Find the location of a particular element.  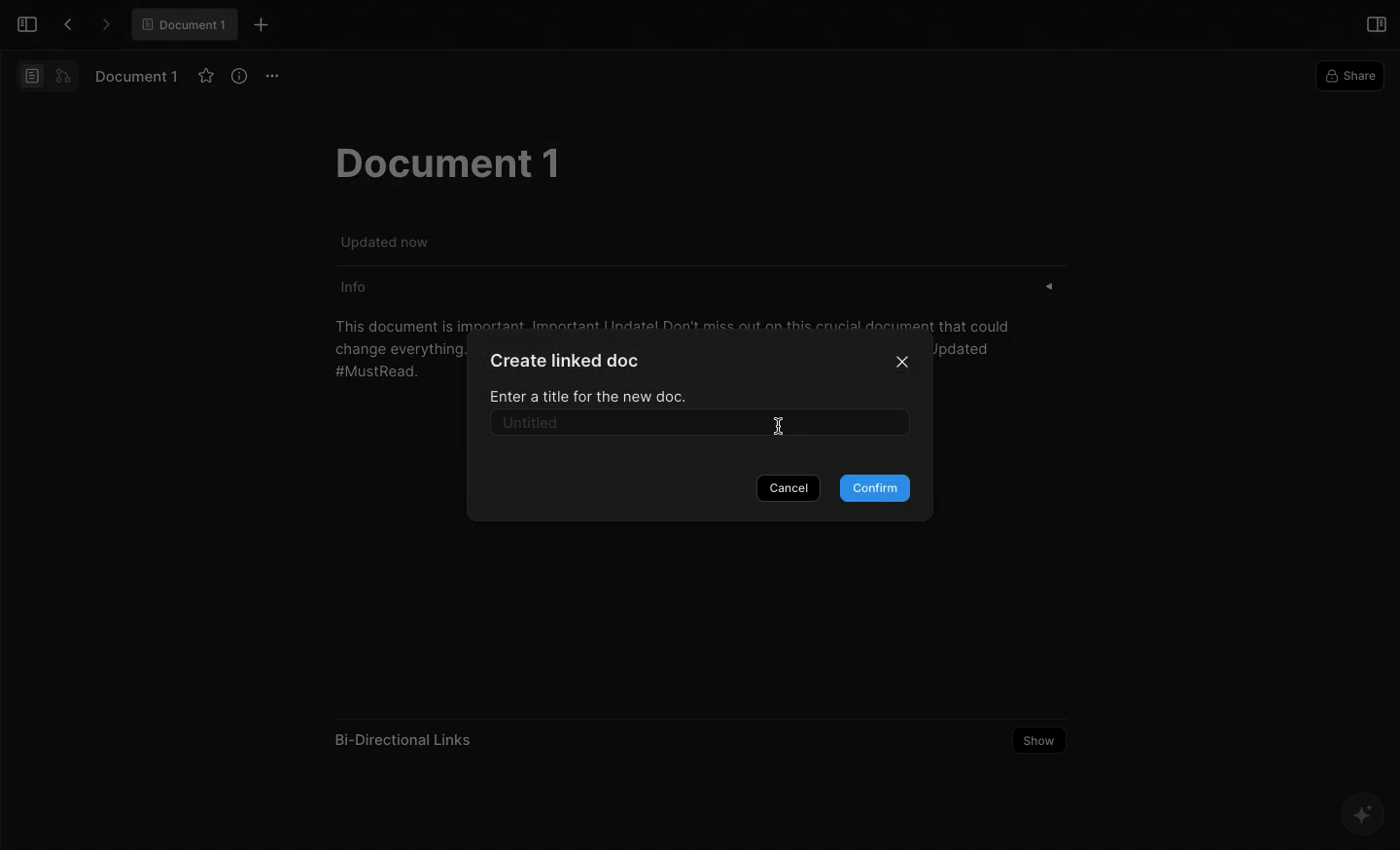

Options is located at coordinates (273, 77).